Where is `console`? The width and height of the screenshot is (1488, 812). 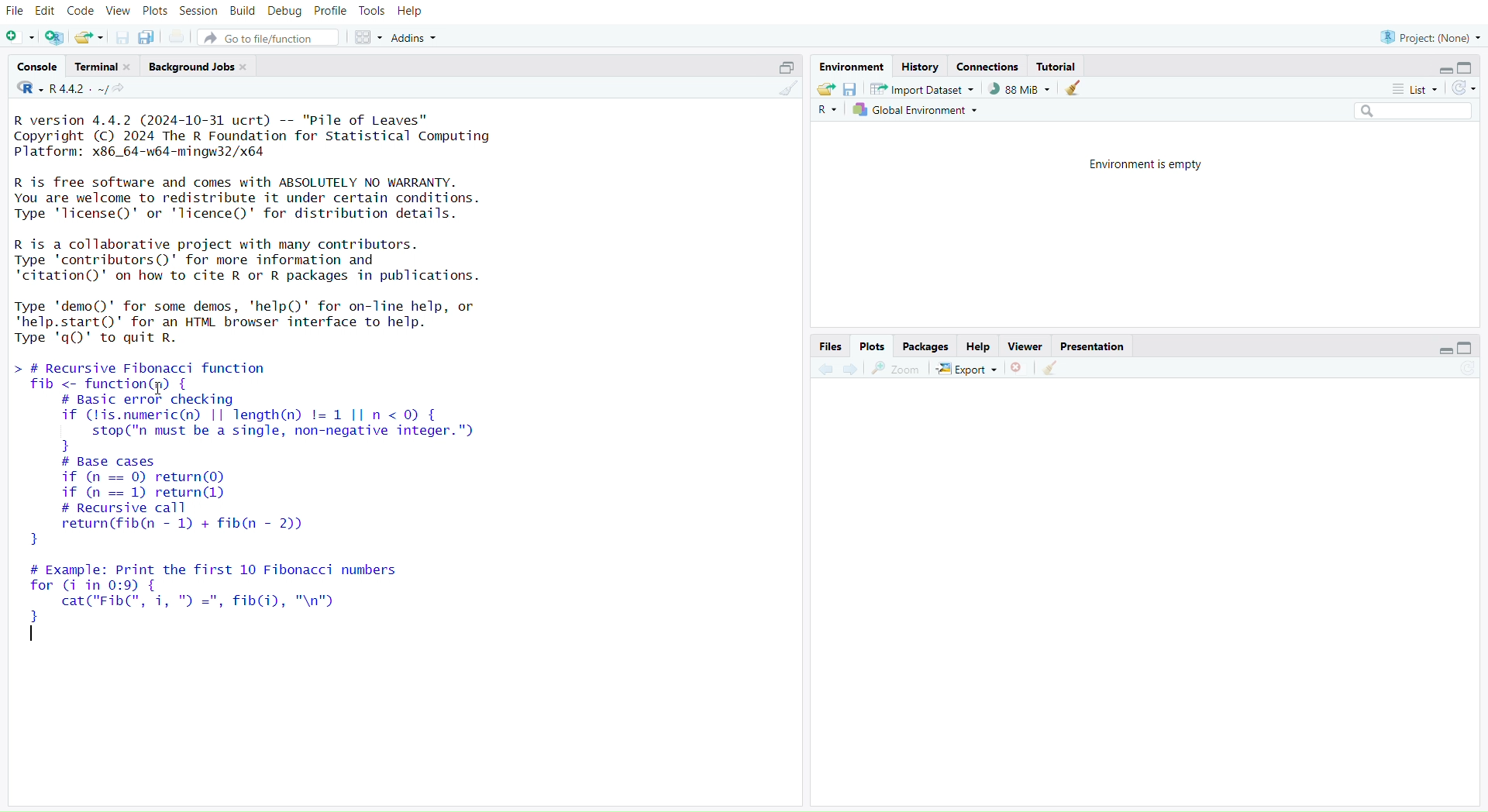 console is located at coordinates (40, 67).